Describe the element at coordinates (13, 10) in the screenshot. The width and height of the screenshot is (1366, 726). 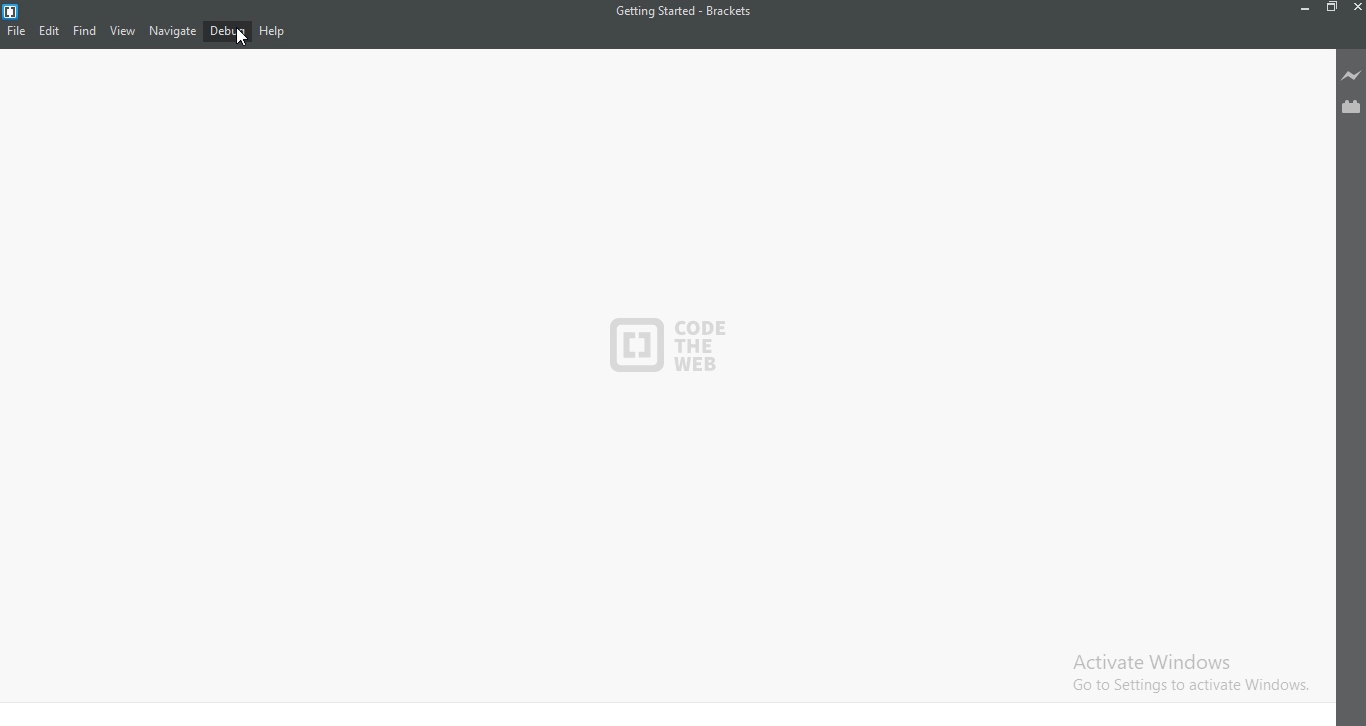
I see `Logo` at that location.